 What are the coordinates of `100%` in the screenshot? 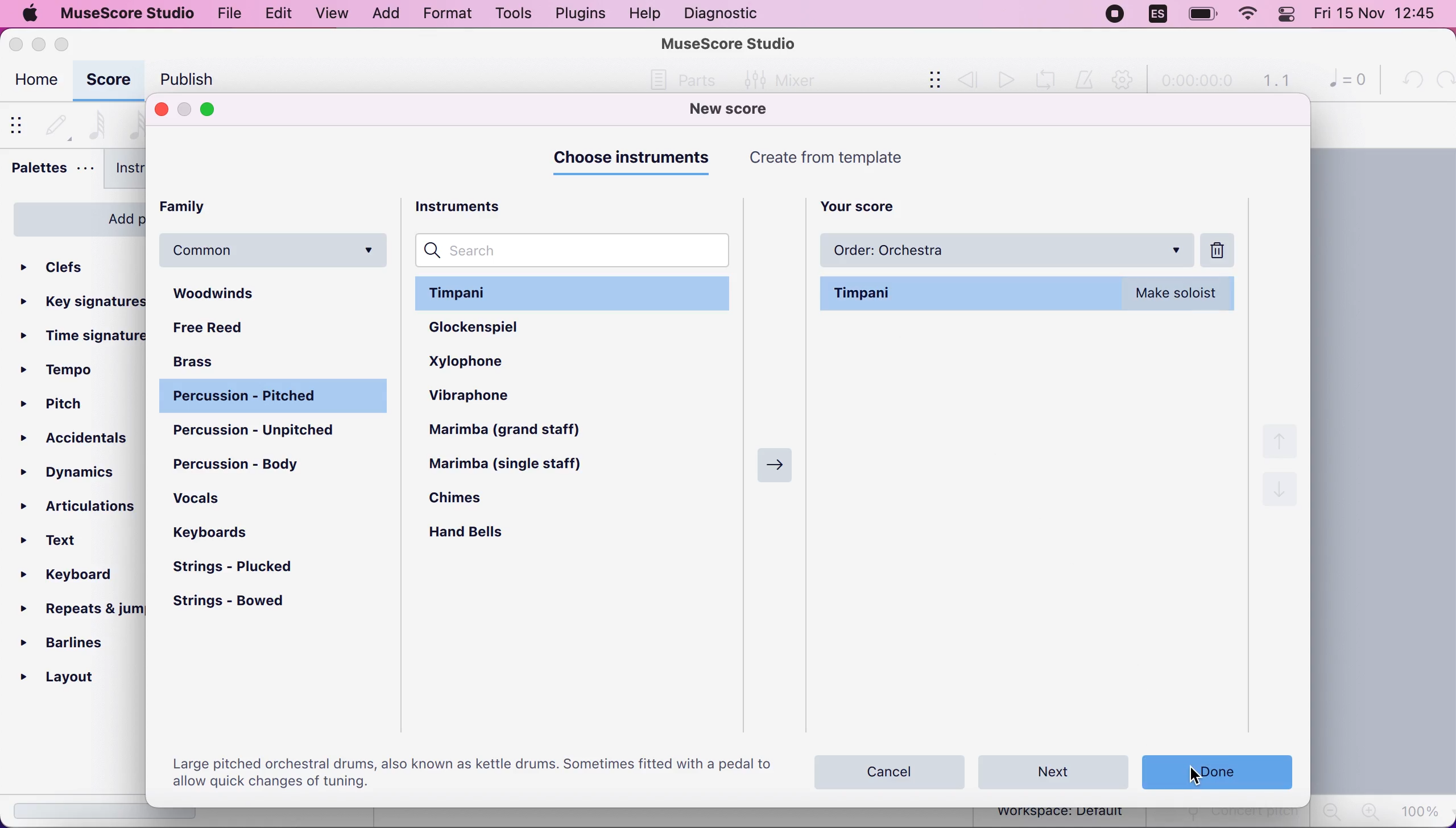 It's located at (1422, 810).